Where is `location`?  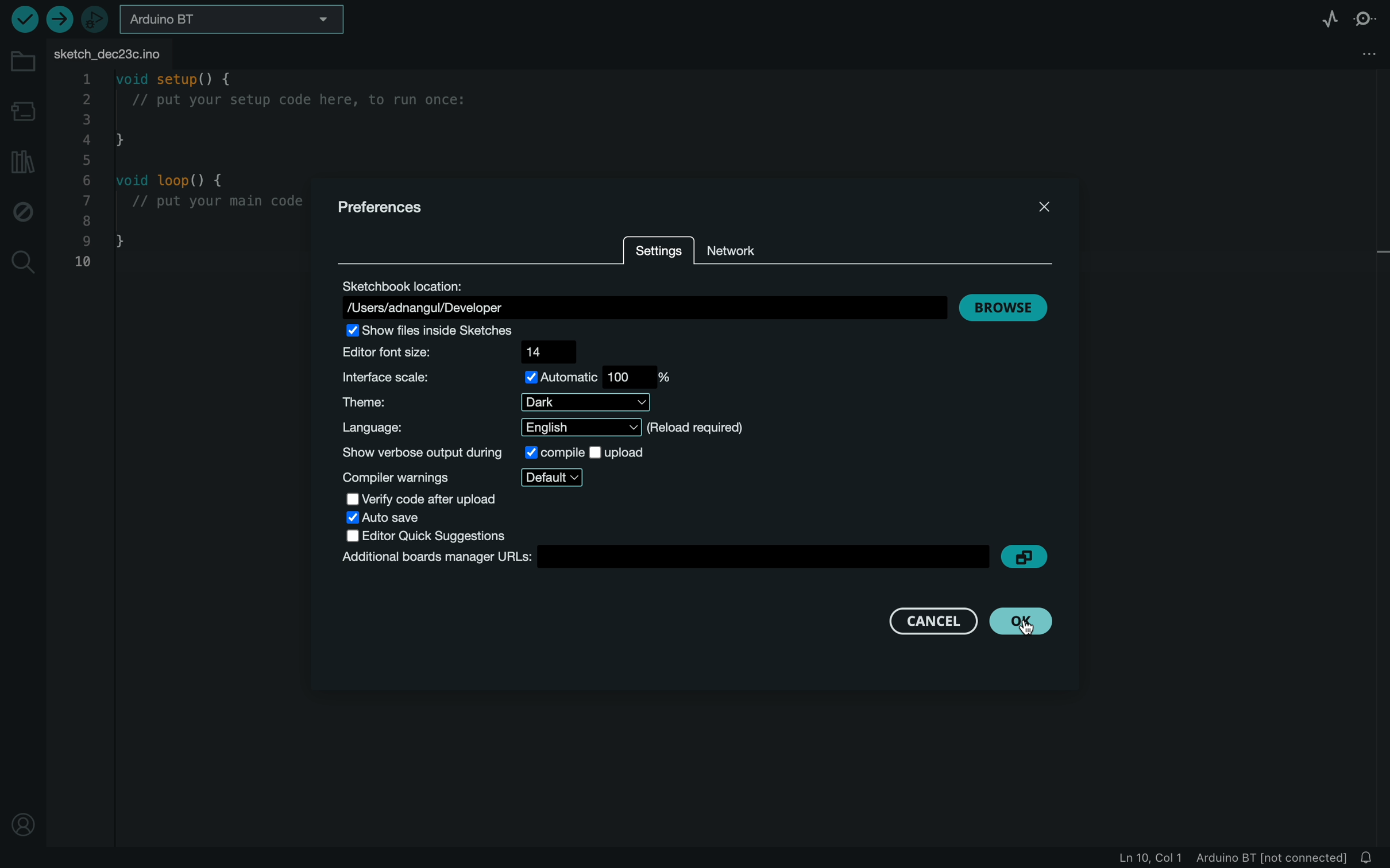 location is located at coordinates (23, 828).